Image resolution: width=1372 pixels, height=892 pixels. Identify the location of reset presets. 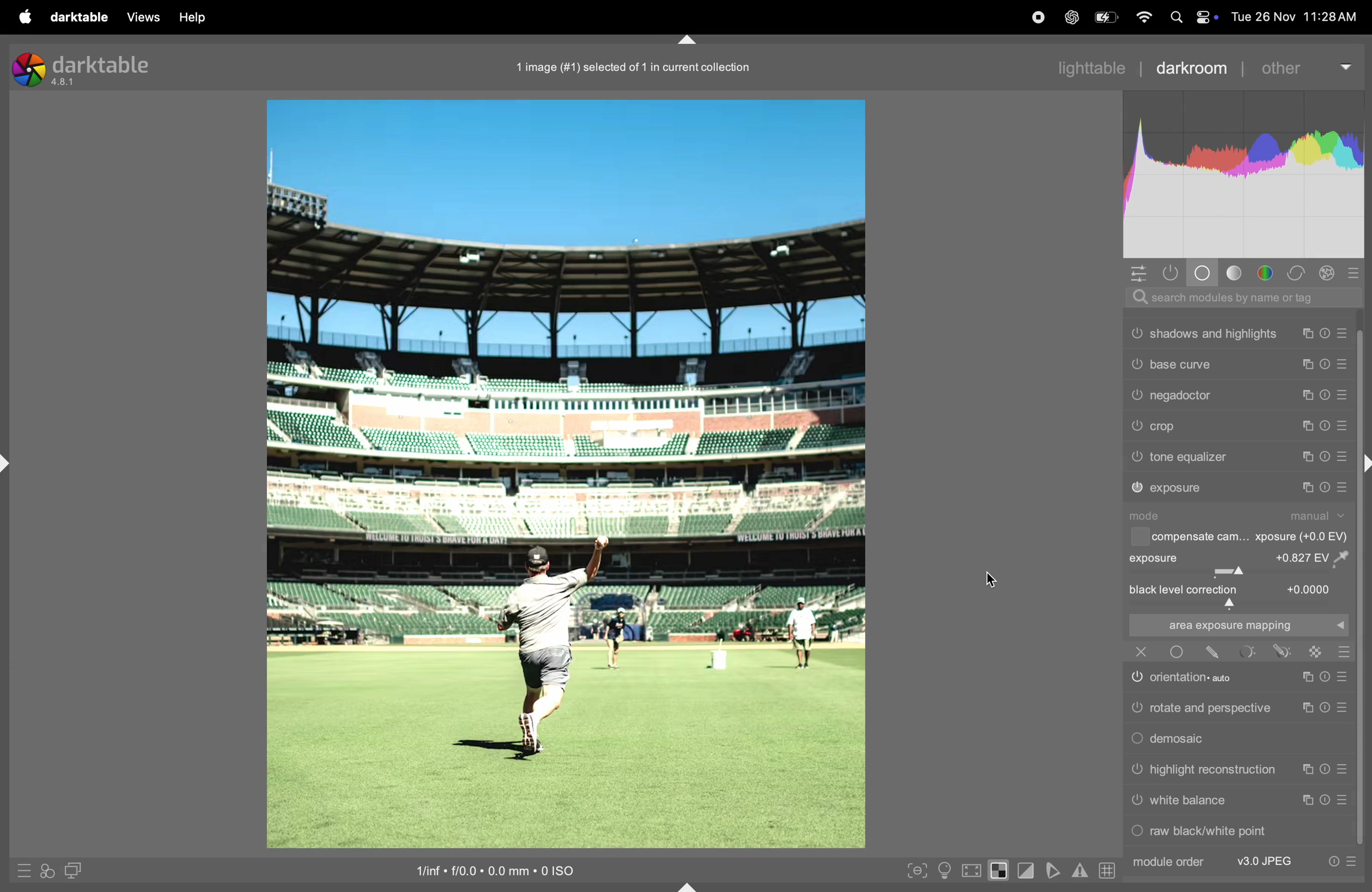
(1325, 366).